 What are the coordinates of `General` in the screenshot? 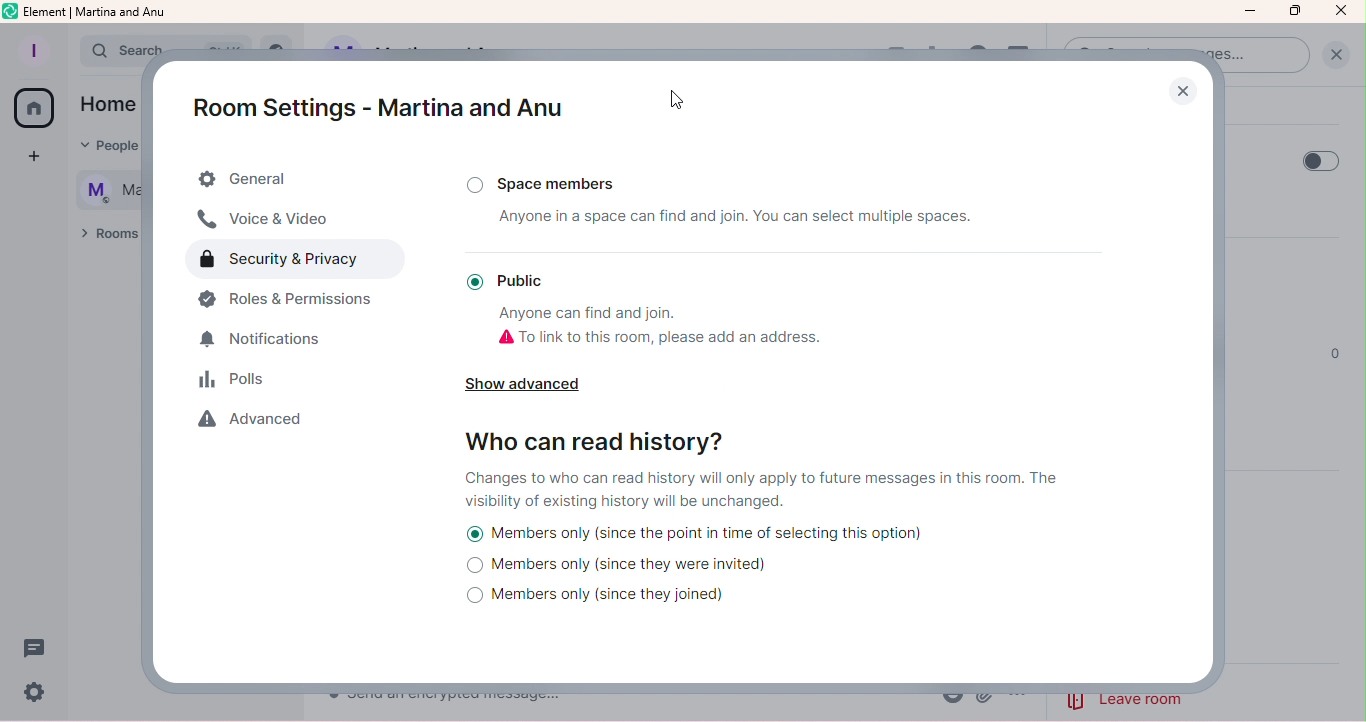 It's located at (299, 180).